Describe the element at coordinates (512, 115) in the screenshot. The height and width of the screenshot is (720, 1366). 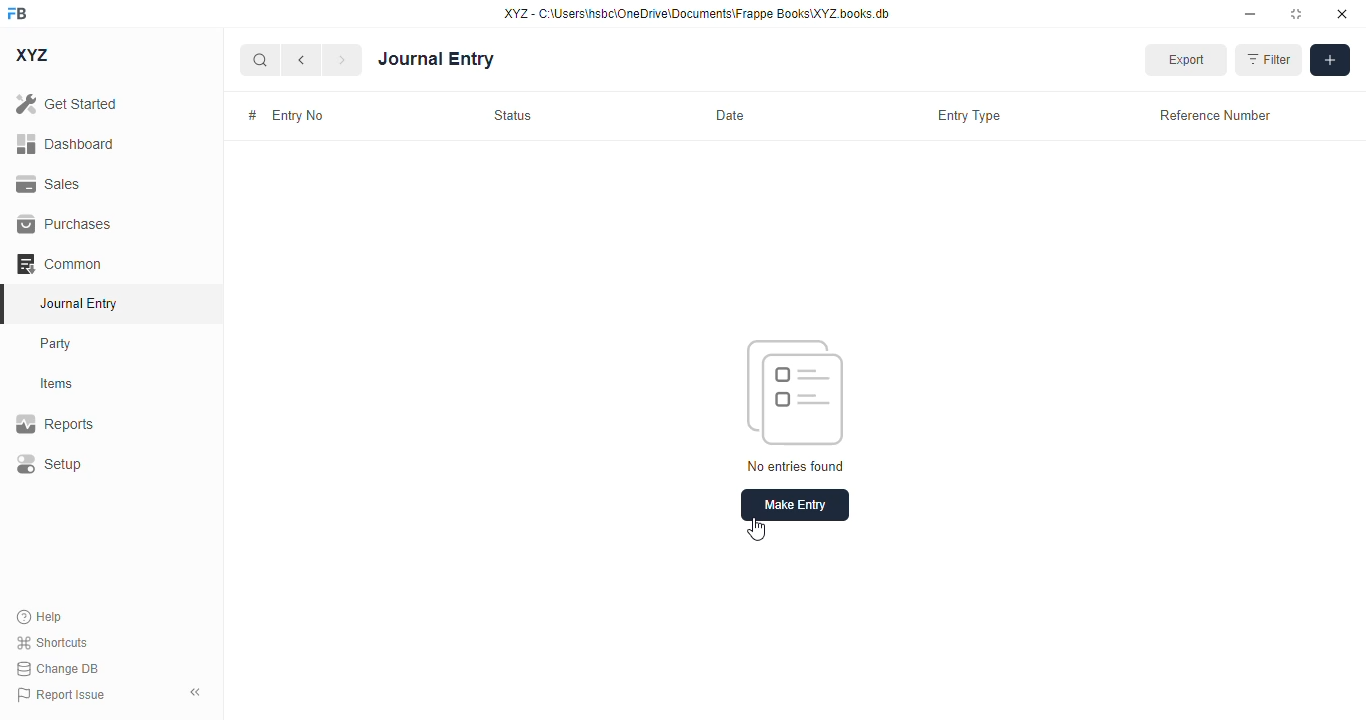
I see `status` at that location.